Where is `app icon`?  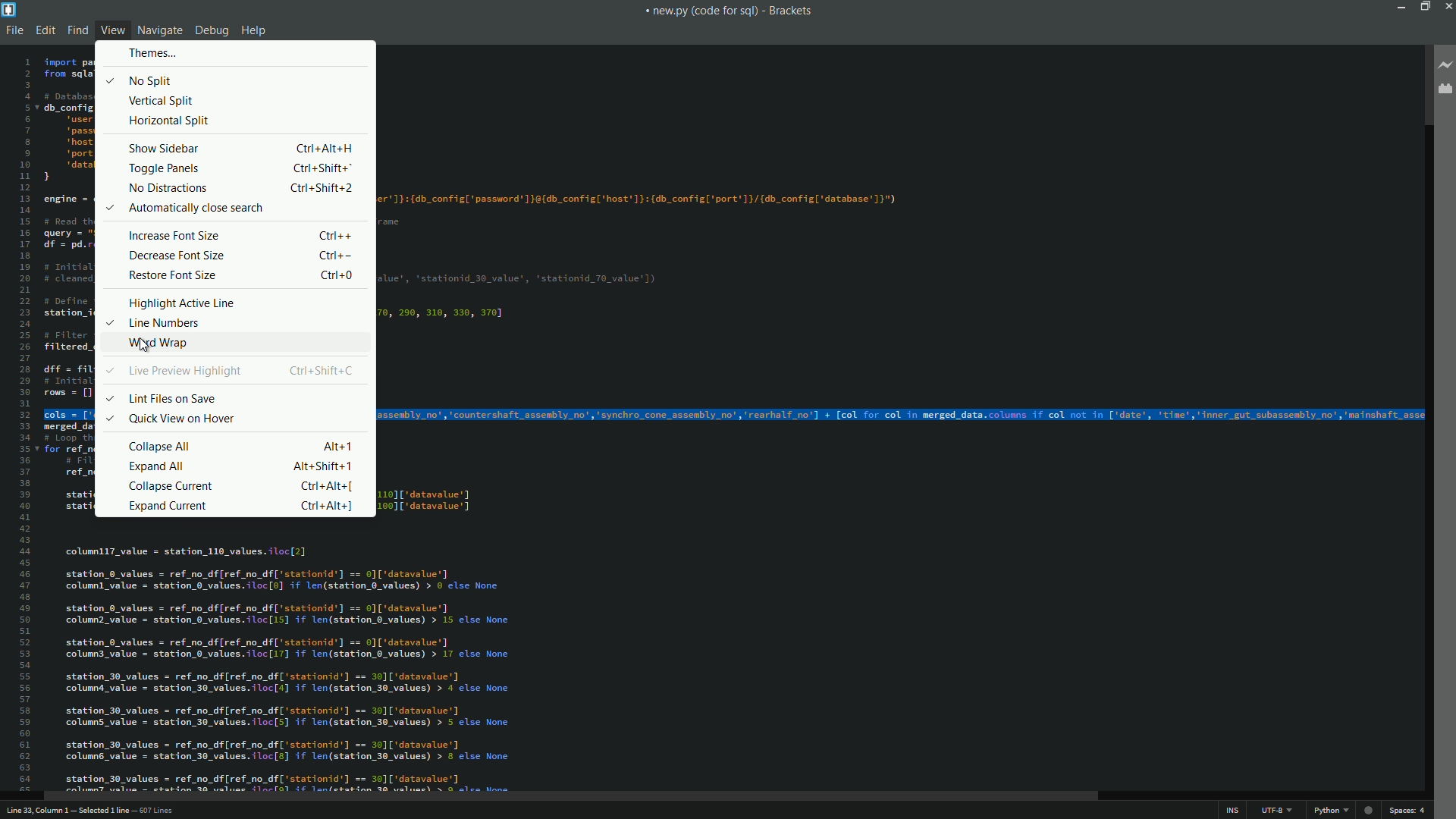
app icon is located at coordinates (9, 9).